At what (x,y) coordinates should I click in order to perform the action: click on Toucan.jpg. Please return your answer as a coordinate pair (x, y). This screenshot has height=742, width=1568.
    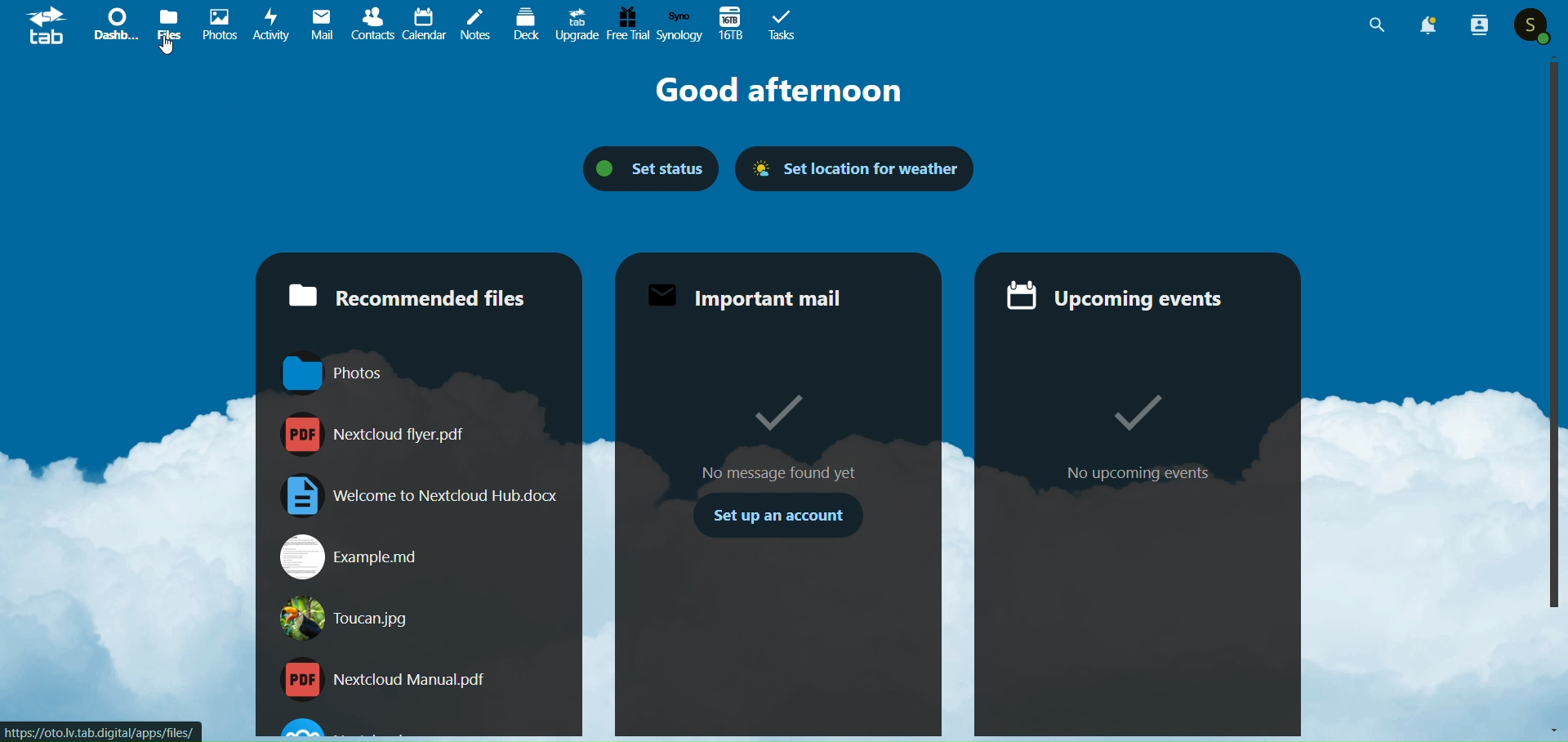
    Looking at the image, I should click on (420, 618).